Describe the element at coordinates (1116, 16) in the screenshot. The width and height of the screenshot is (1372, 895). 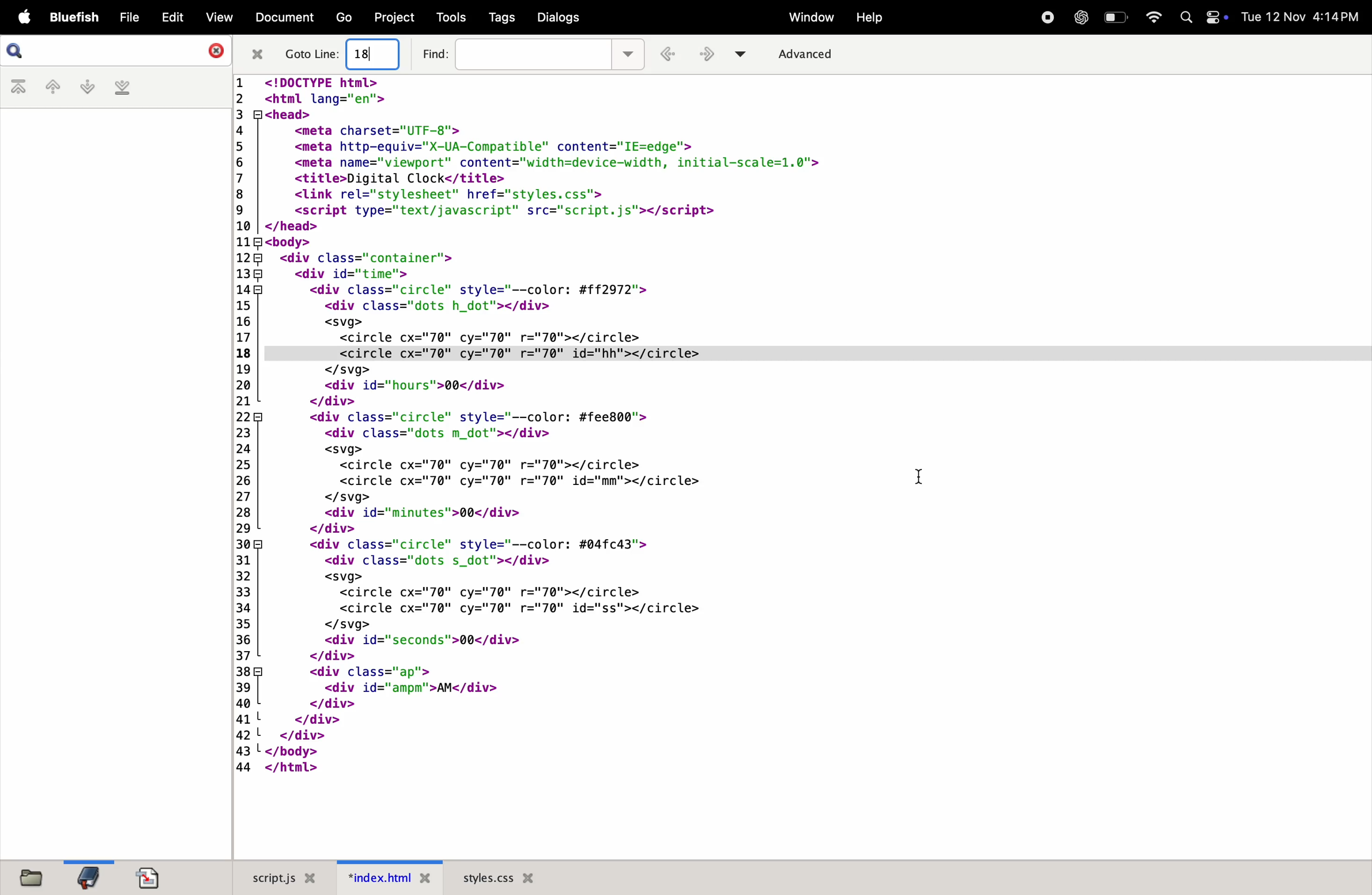
I see `battery` at that location.